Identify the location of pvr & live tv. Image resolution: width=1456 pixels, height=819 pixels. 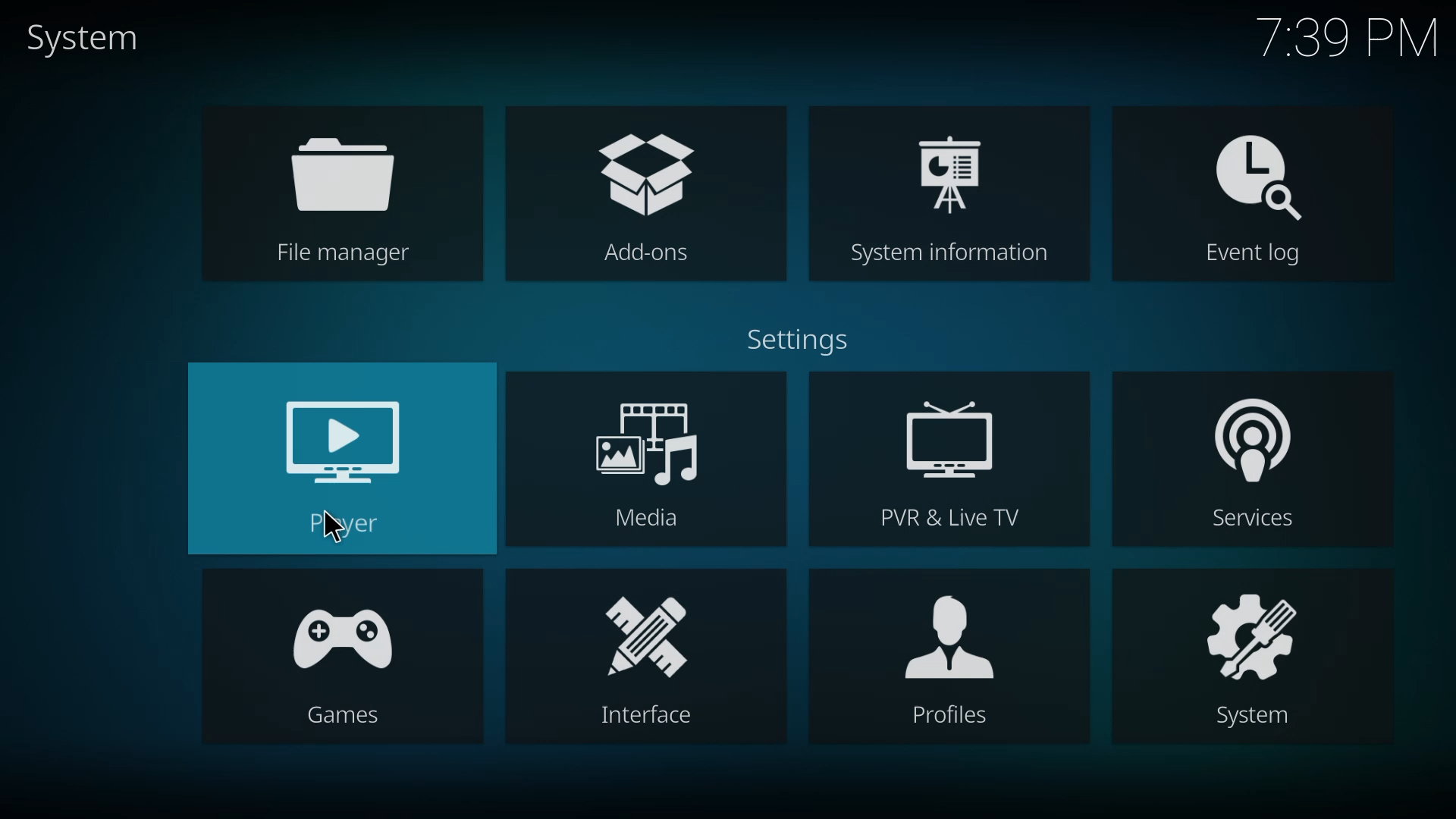
(948, 460).